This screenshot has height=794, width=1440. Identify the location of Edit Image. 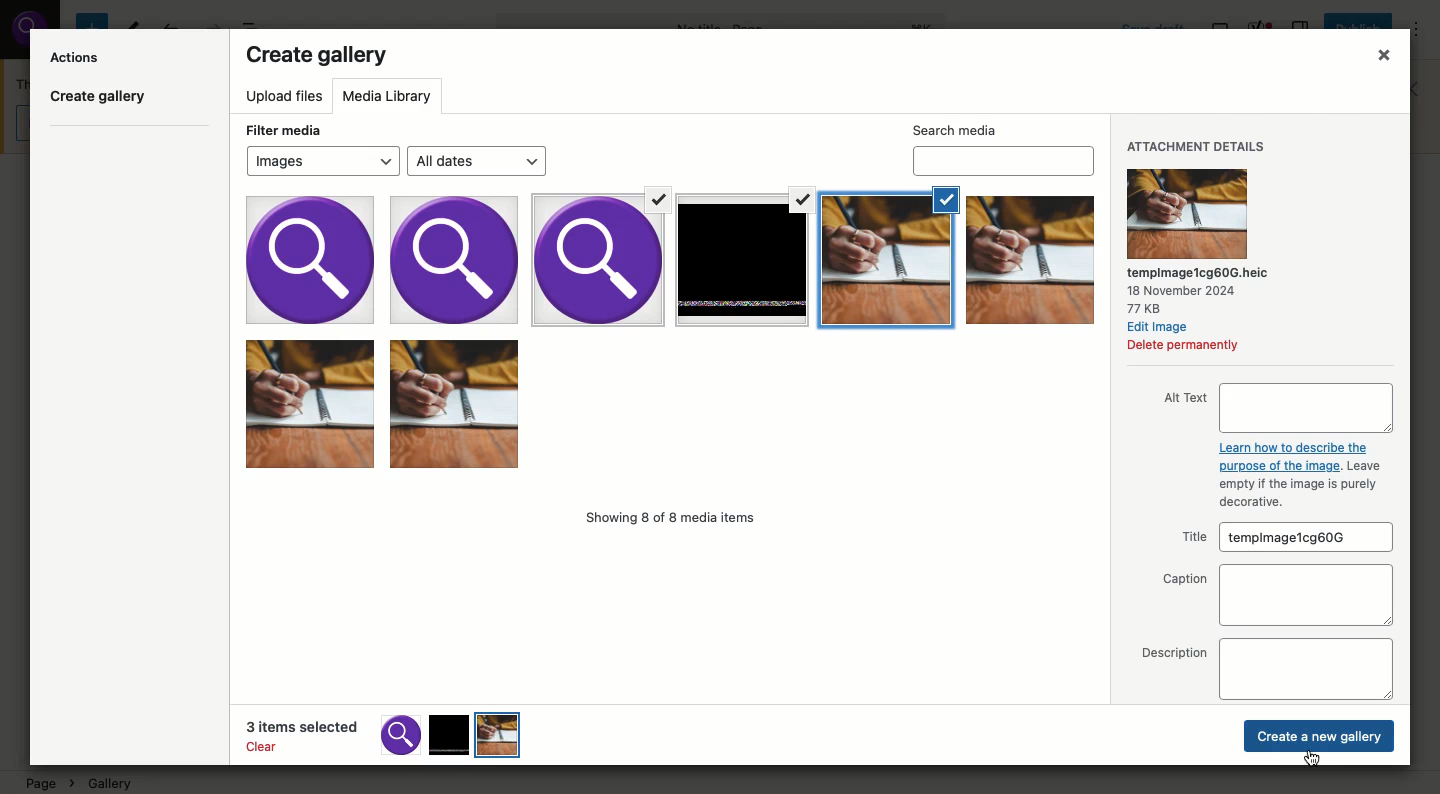
(1174, 327).